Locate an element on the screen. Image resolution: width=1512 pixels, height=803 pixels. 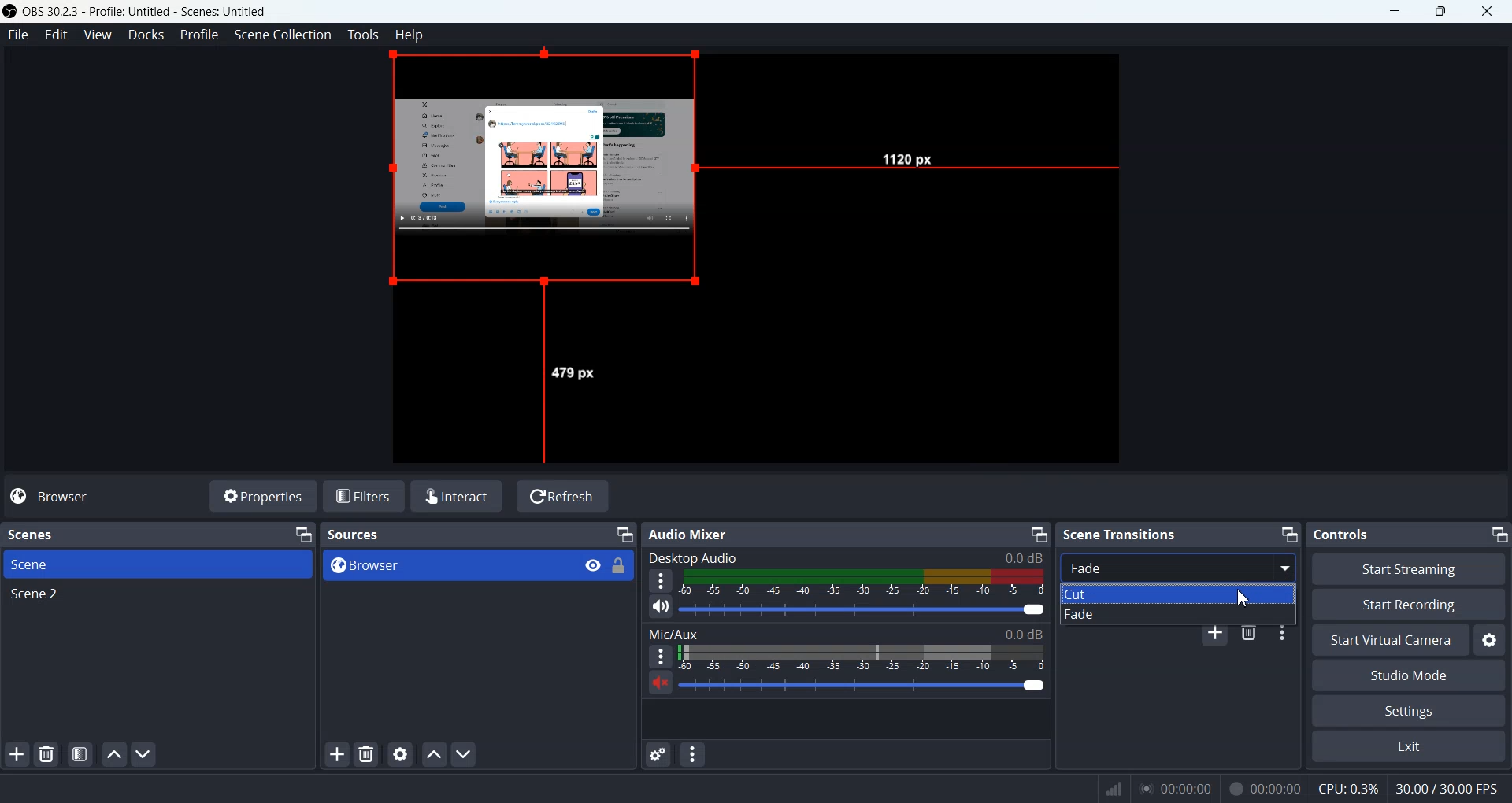
Fade is located at coordinates (1180, 616).